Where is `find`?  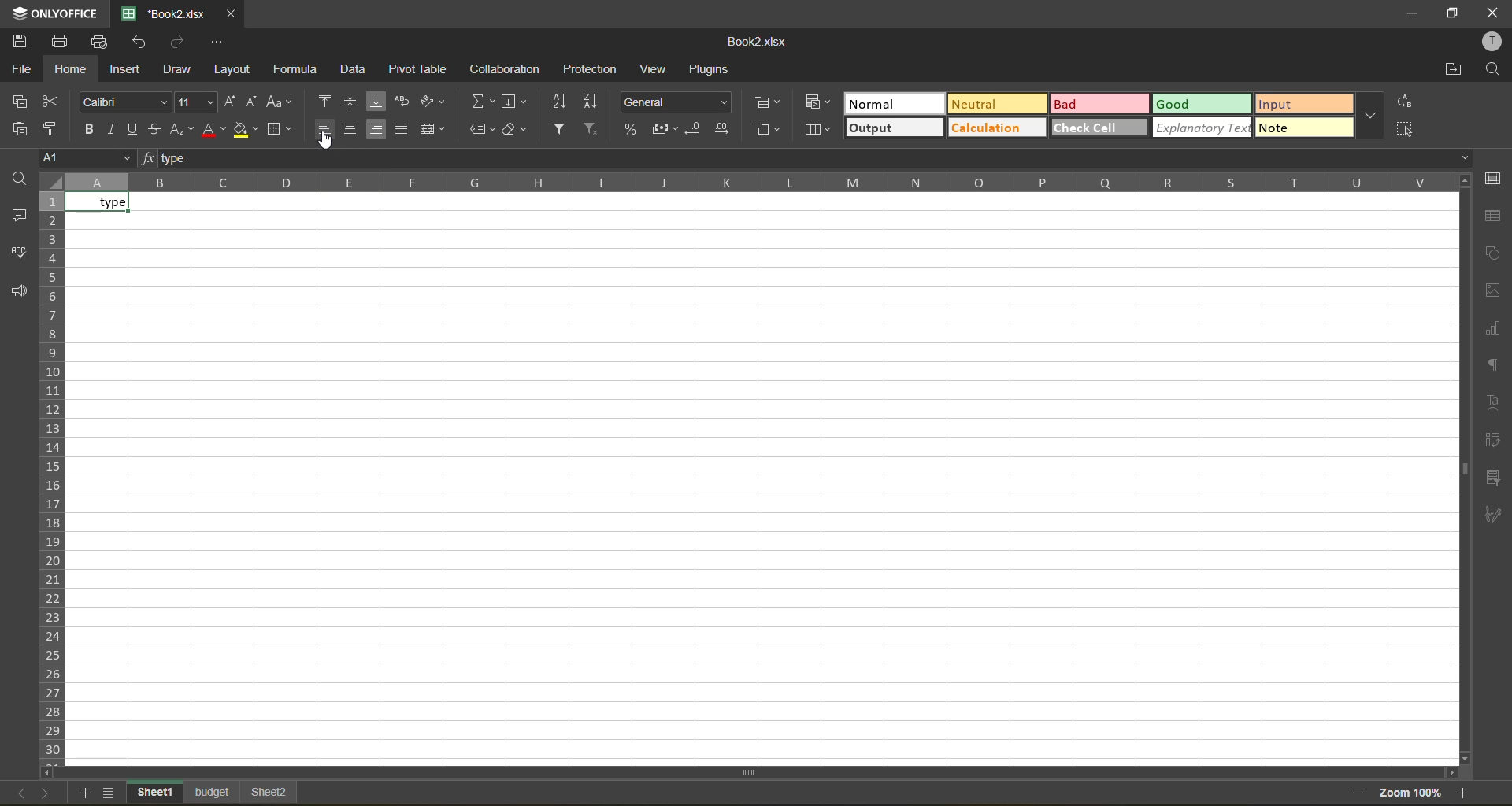 find is located at coordinates (21, 181).